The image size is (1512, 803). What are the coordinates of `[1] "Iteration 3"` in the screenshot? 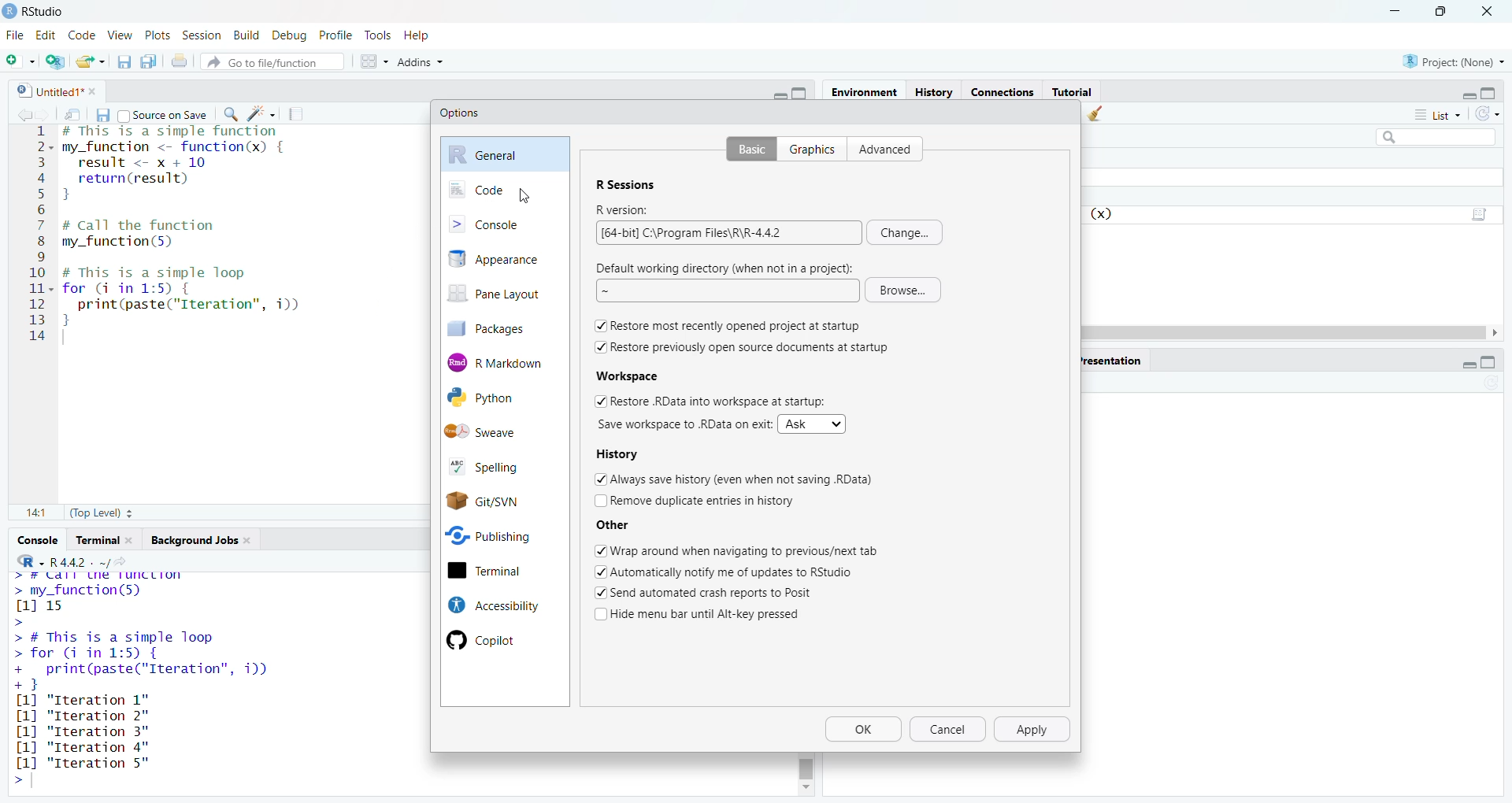 It's located at (80, 747).